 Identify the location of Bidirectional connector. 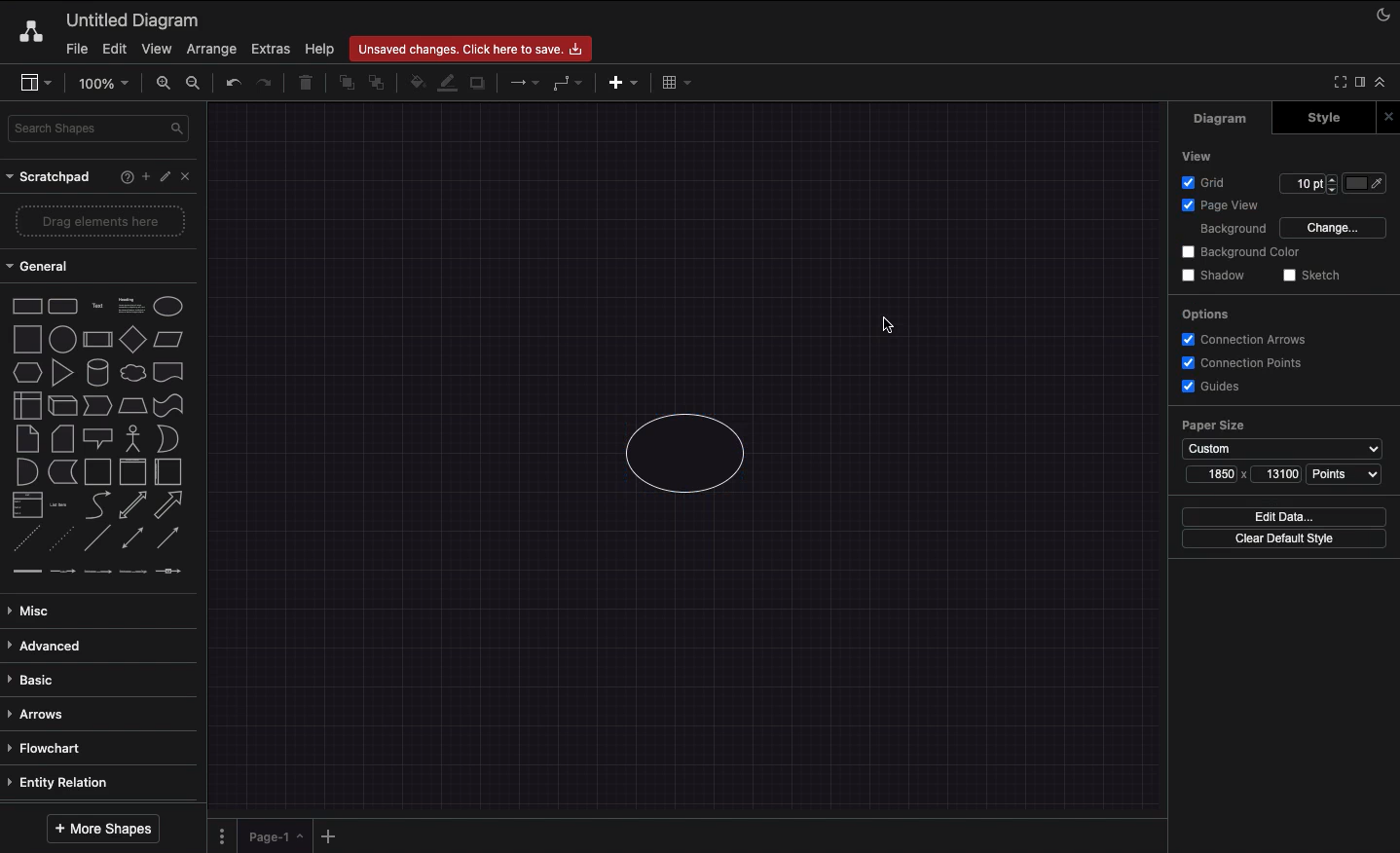
(133, 538).